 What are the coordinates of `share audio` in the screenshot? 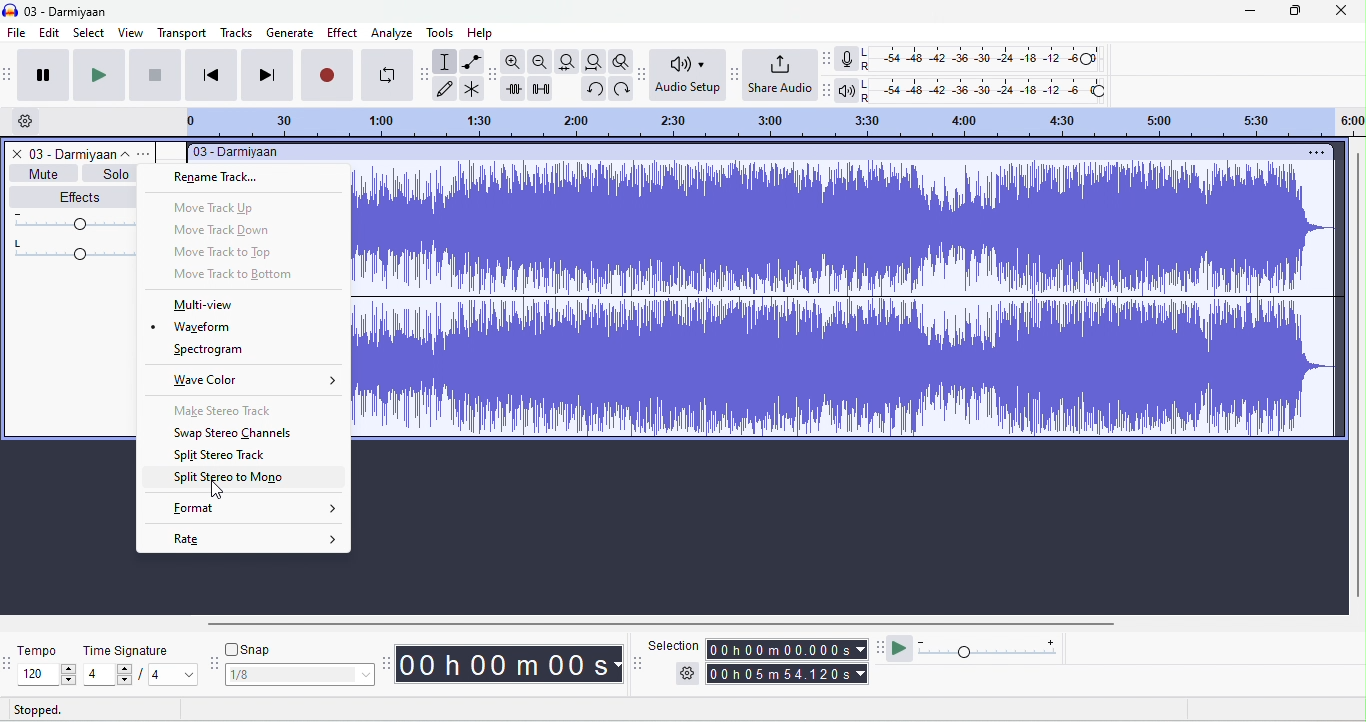 It's located at (779, 76).